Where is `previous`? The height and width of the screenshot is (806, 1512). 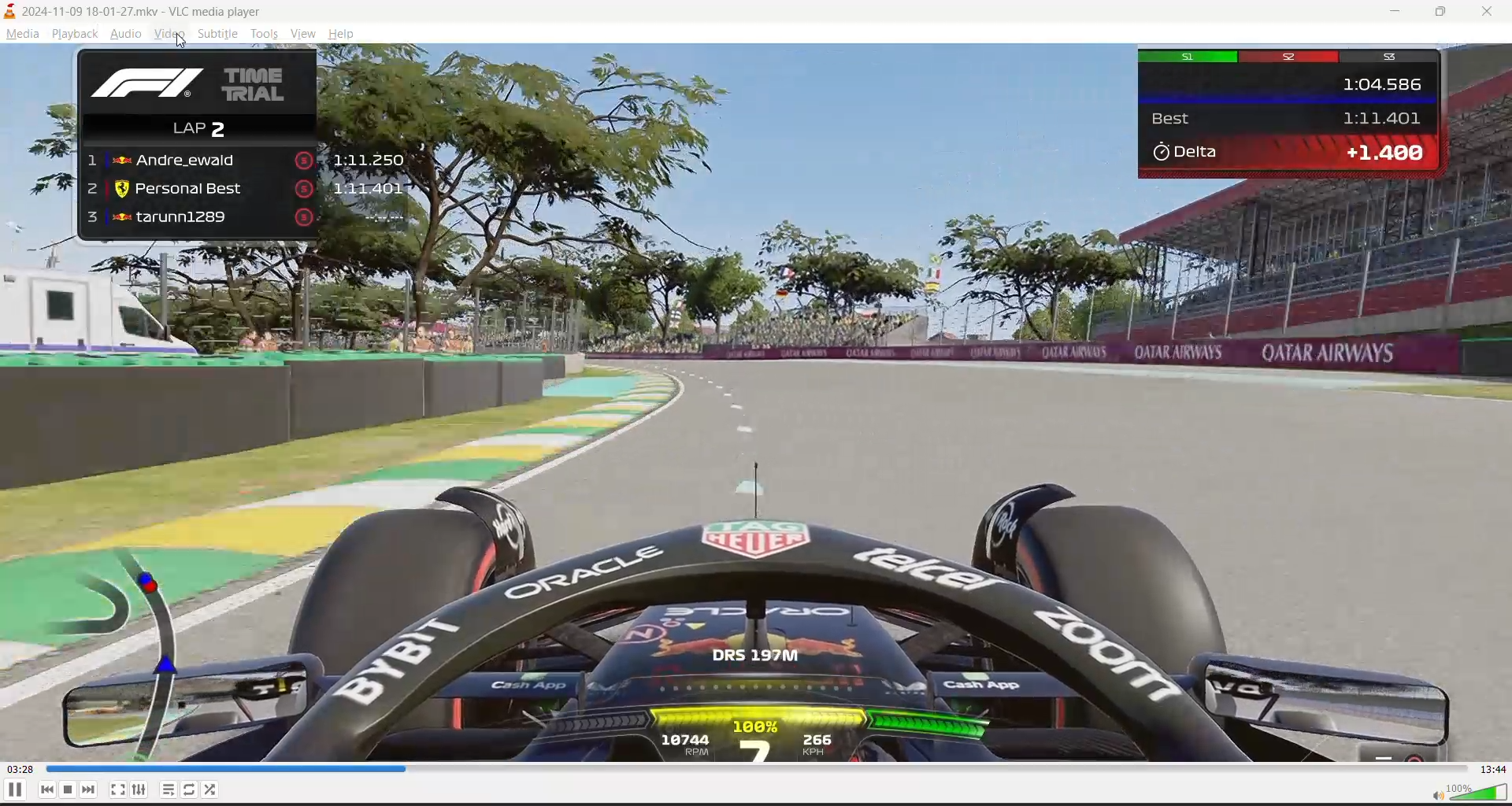
previous is located at coordinates (43, 790).